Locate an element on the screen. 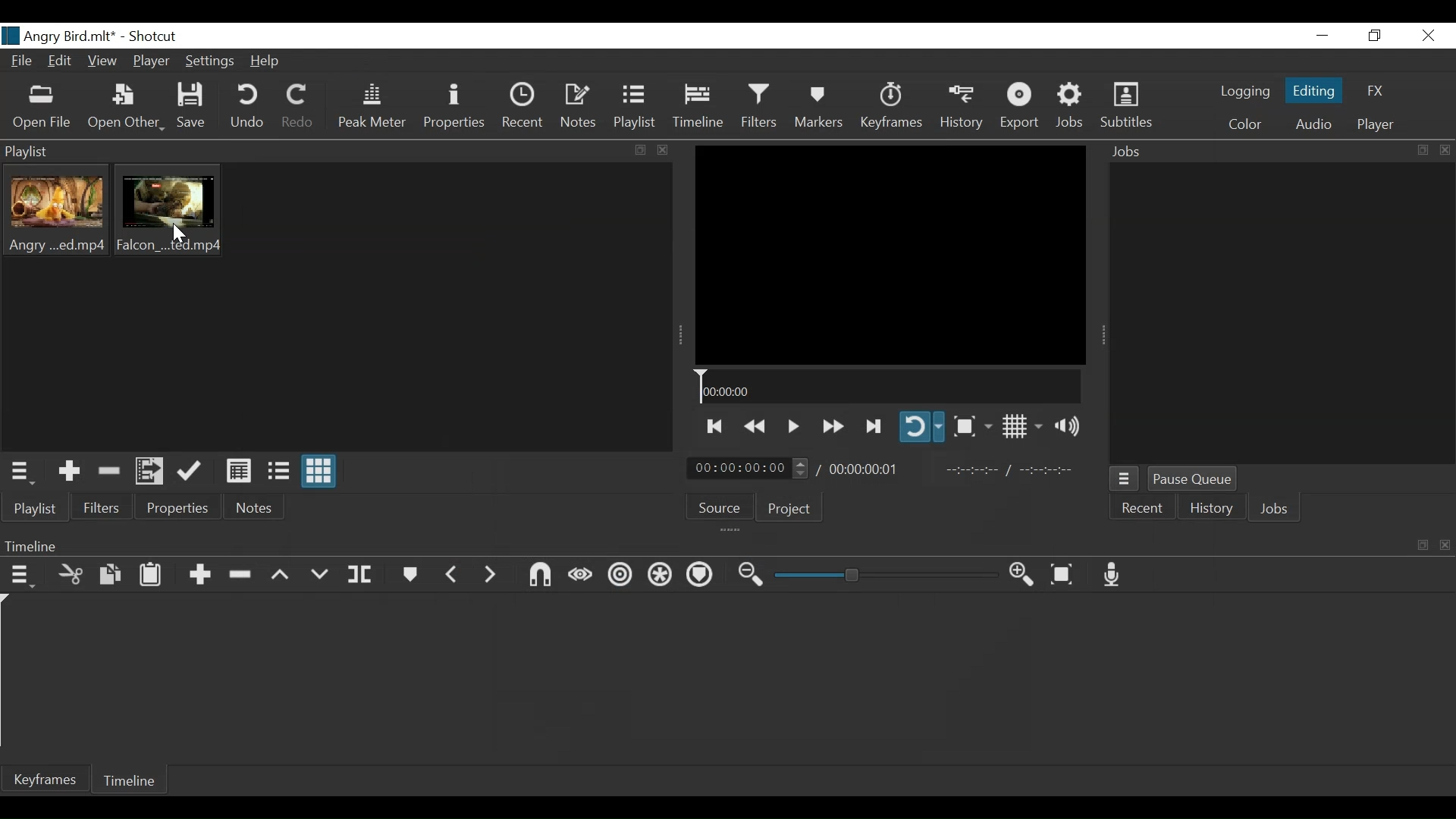  play forward quickly is located at coordinates (831, 428).